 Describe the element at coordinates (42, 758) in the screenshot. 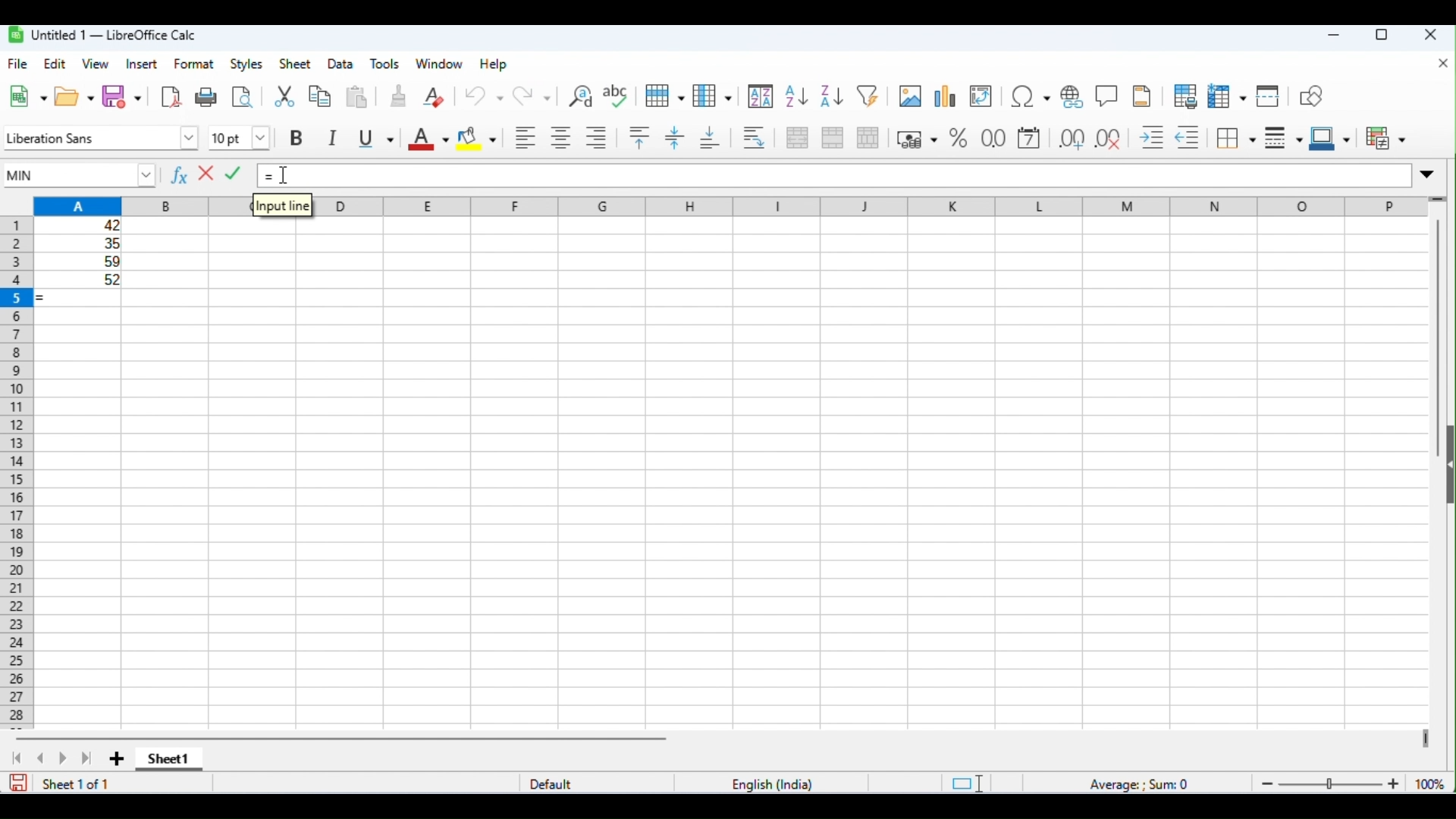

I see `previous sheet` at that location.